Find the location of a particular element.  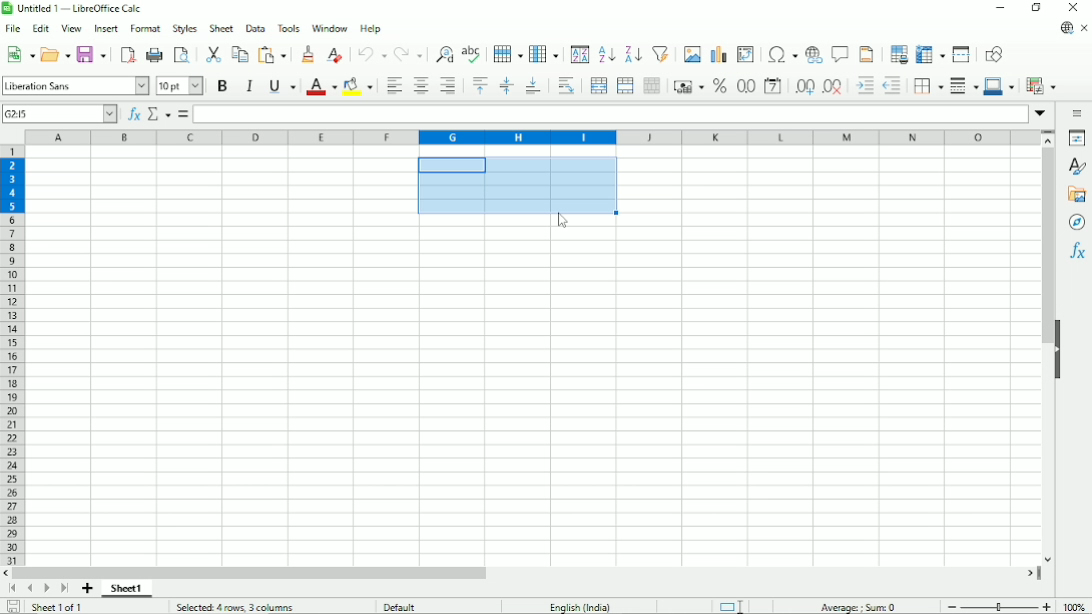

Merge and center is located at coordinates (599, 87).